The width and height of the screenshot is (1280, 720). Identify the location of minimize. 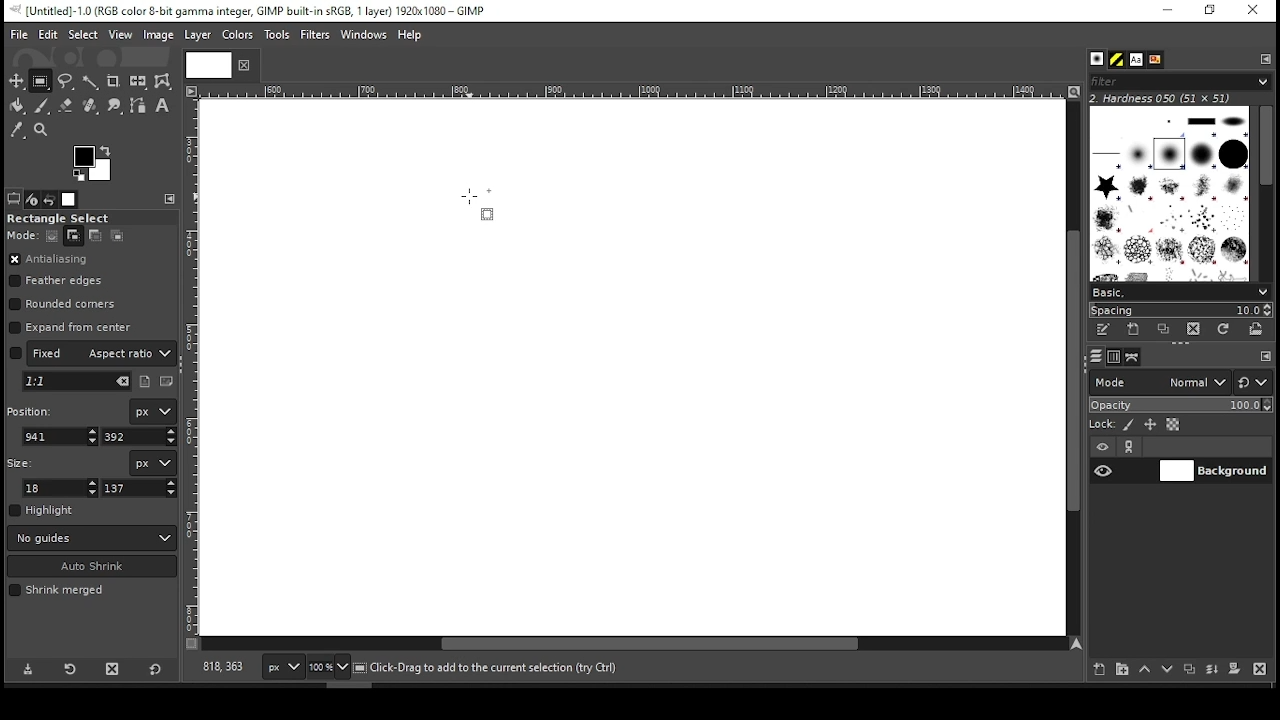
(1166, 11).